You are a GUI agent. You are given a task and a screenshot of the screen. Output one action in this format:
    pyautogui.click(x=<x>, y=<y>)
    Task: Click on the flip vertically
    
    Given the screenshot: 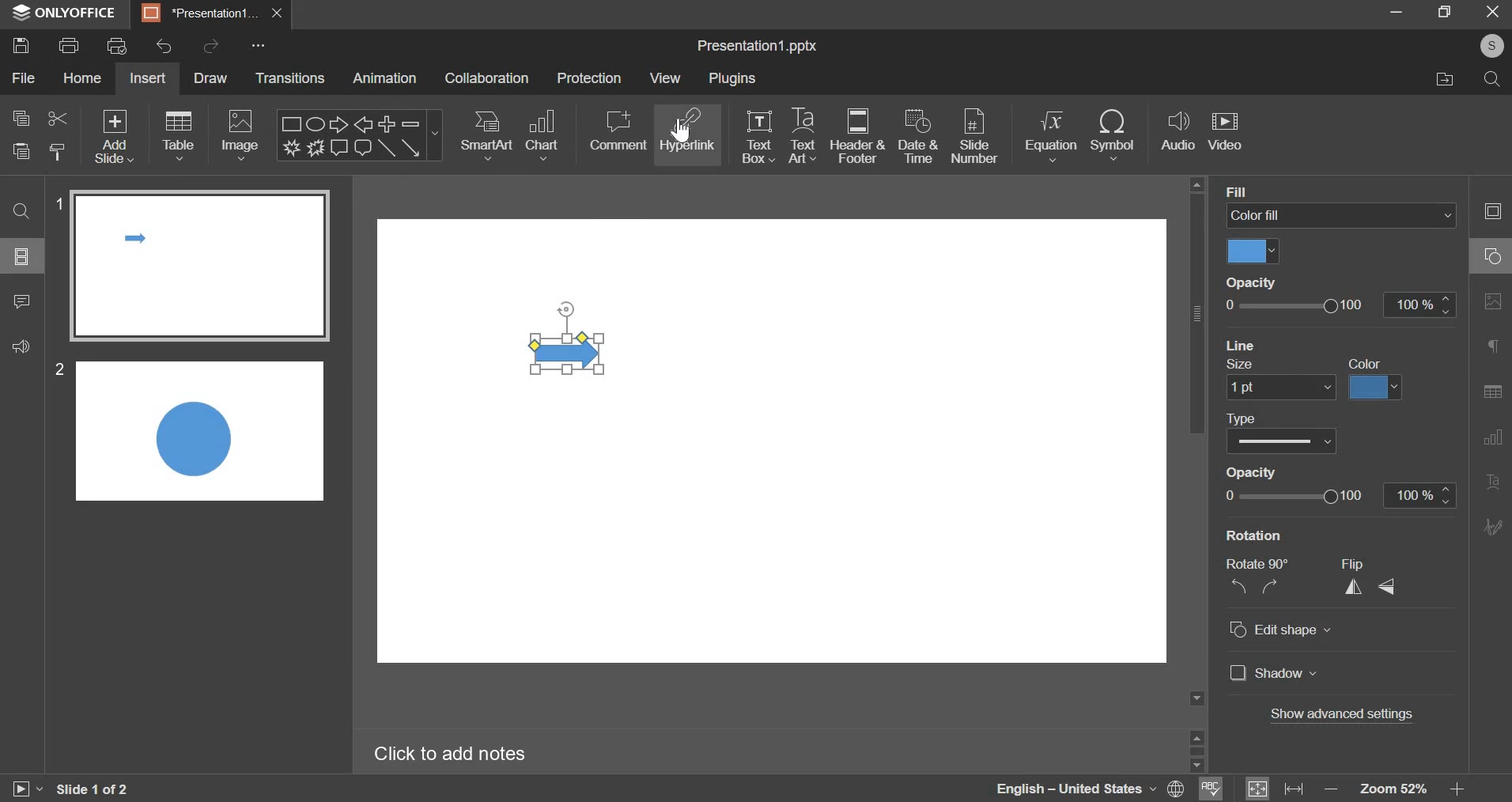 What is the action you would take?
    pyautogui.click(x=1387, y=588)
    